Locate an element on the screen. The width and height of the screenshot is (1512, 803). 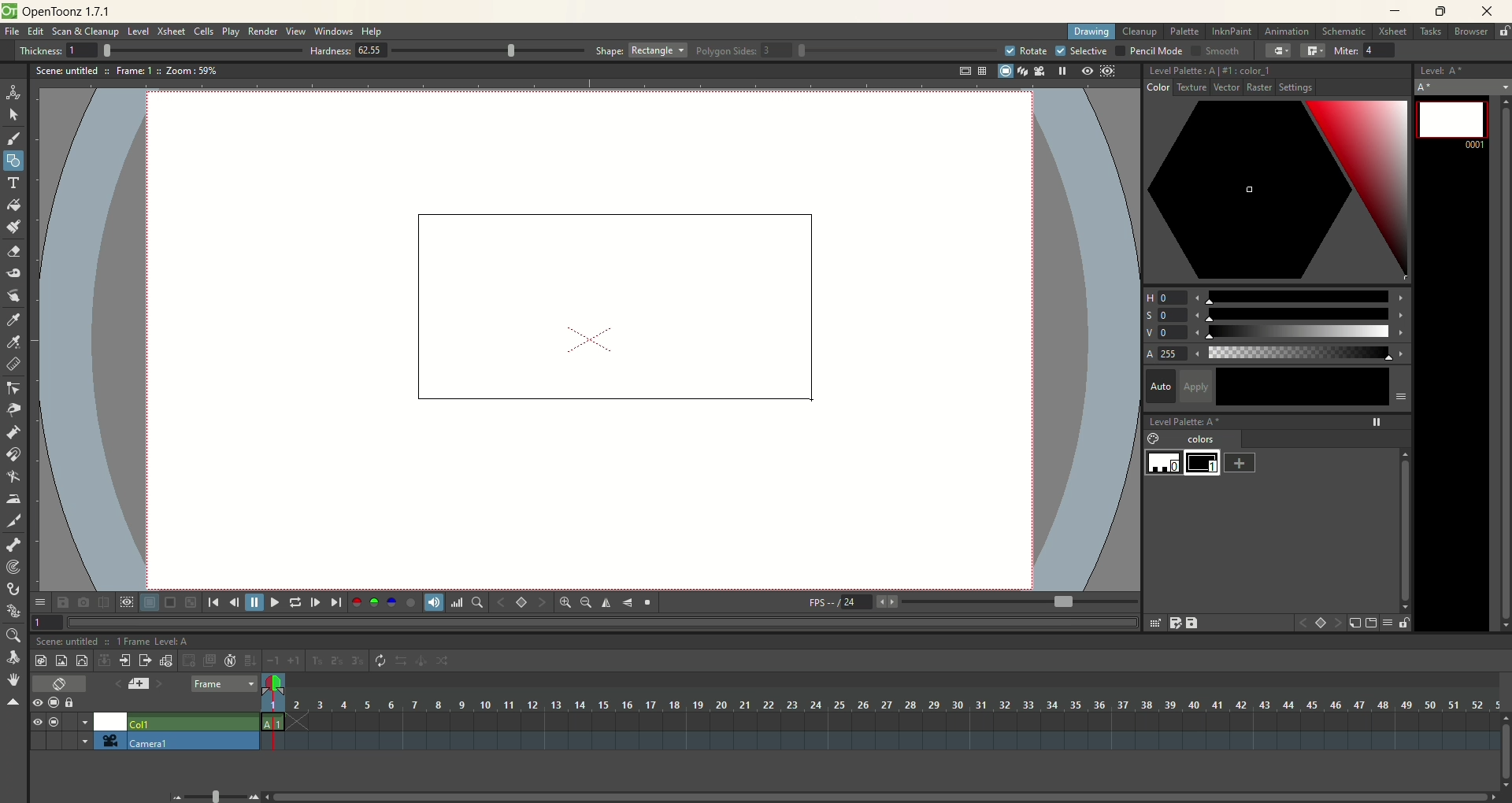
unlock is located at coordinates (1504, 32).